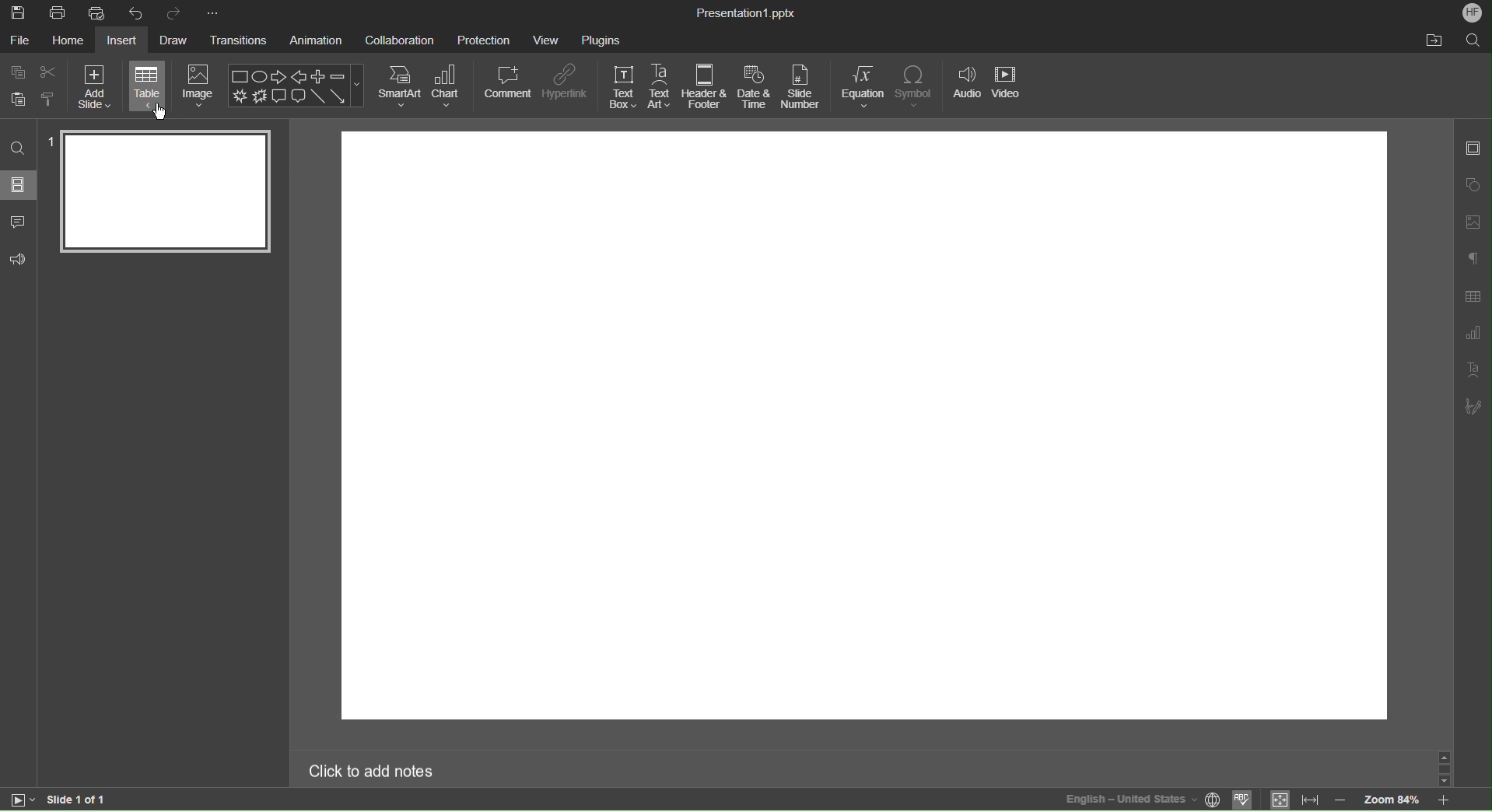 The image size is (1492, 812). What do you see at coordinates (1473, 220) in the screenshot?
I see `Image Settings` at bounding box center [1473, 220].